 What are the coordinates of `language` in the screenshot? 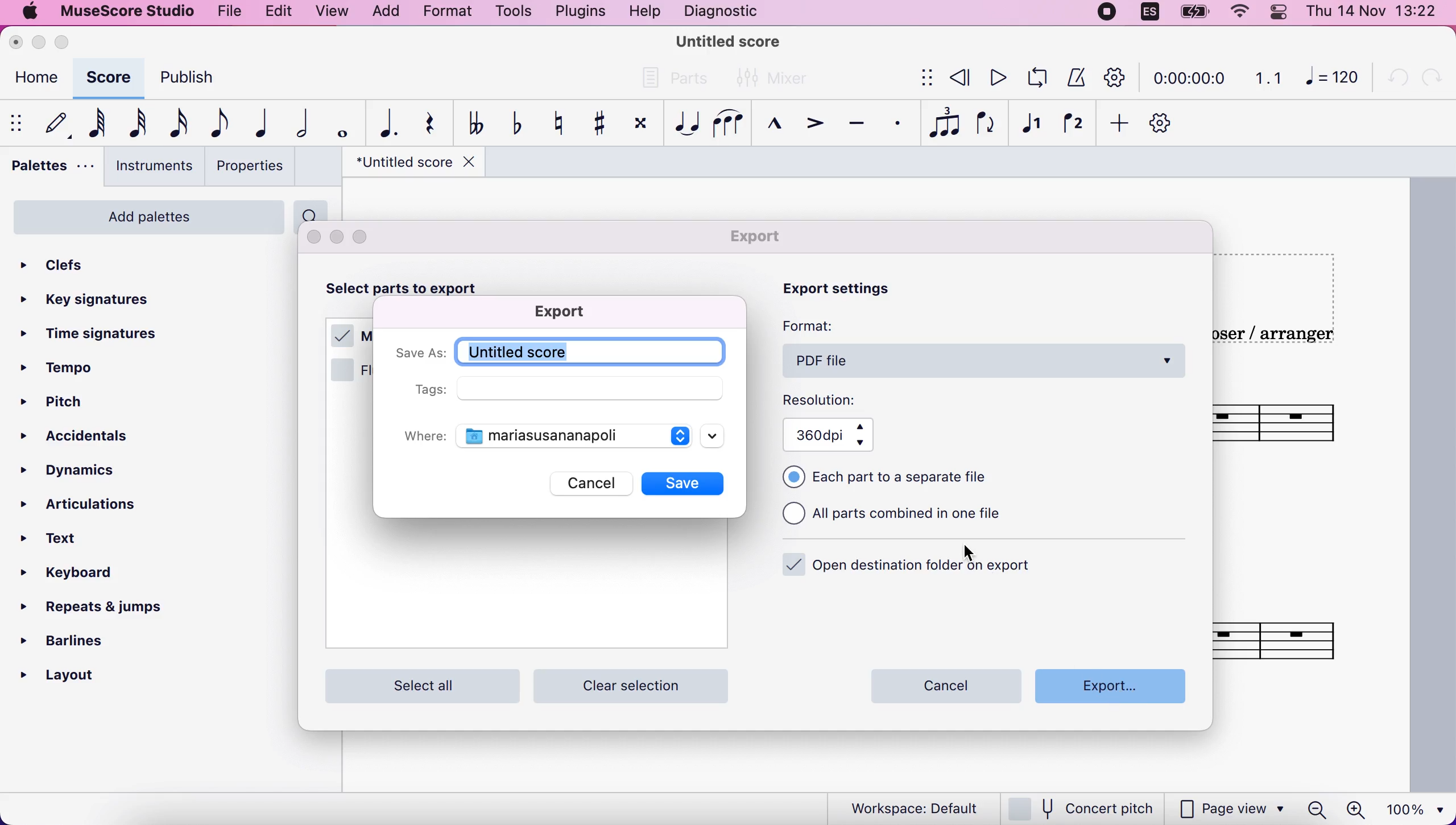 It's located at (1145, 13).